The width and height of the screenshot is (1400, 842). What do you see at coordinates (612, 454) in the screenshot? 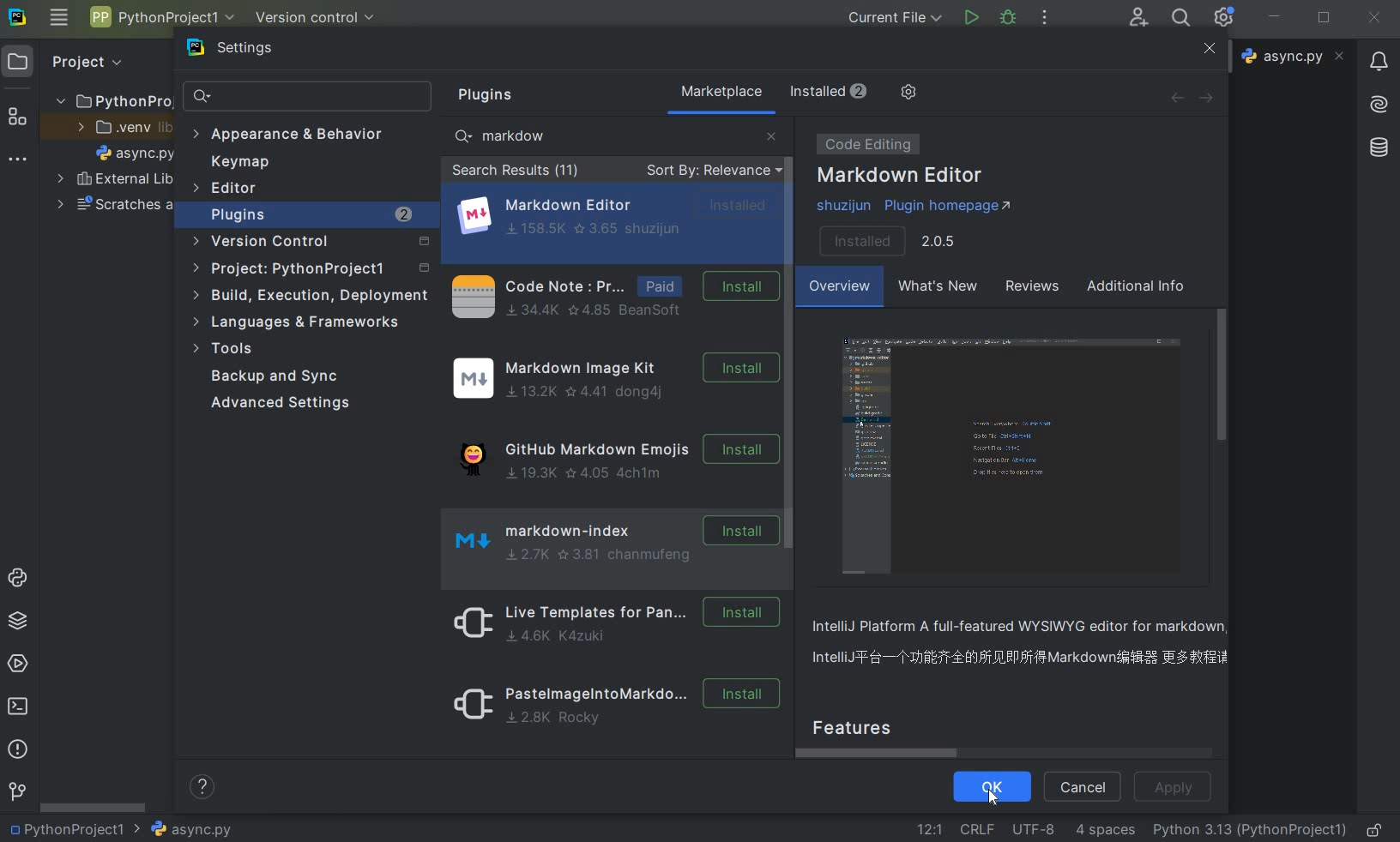
I see `github markdown emojis` at bounding box center [612, 454].